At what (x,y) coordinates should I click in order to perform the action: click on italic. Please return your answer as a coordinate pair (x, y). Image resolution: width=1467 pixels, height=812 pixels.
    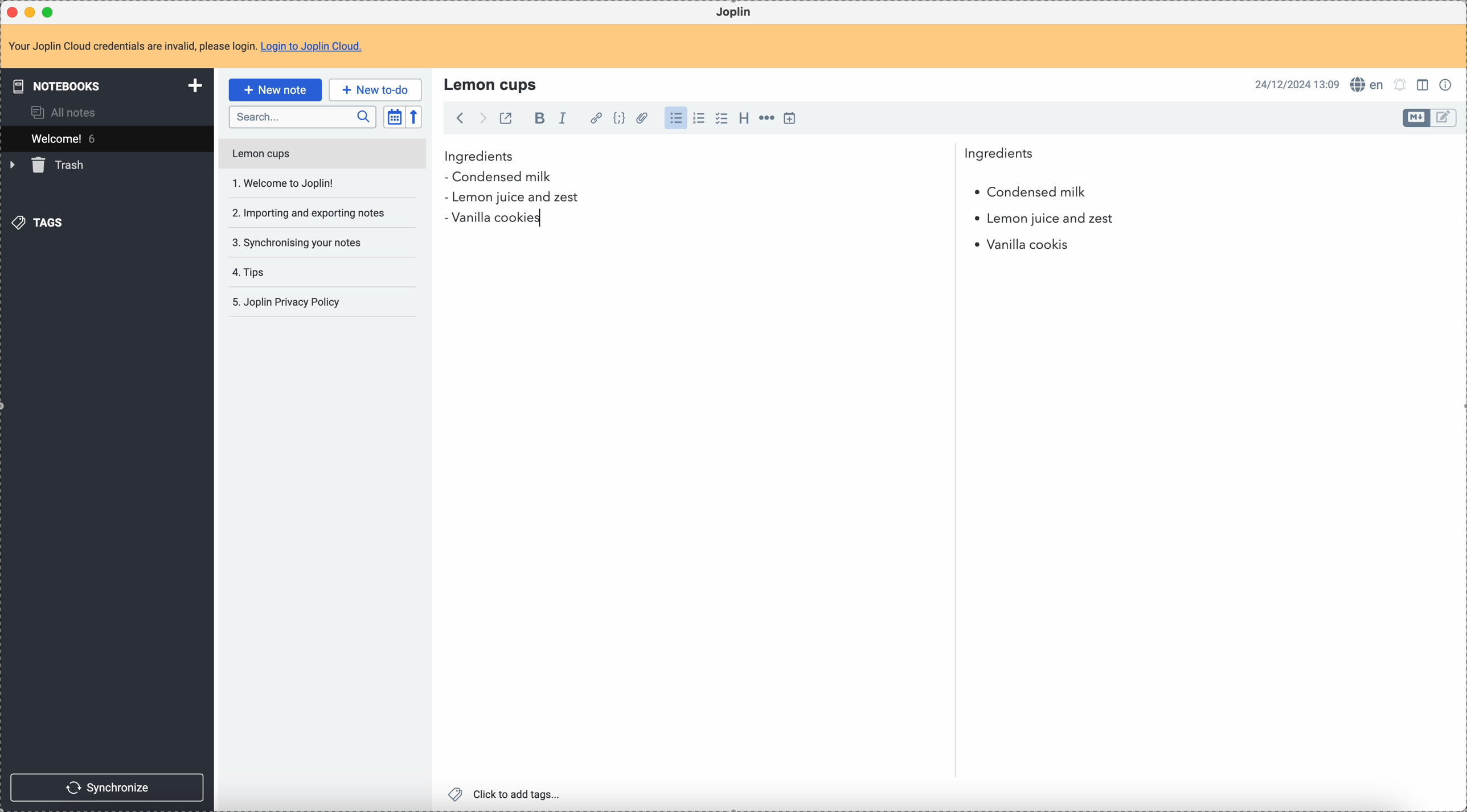
    Looking at the image, I should click on (562, 117).